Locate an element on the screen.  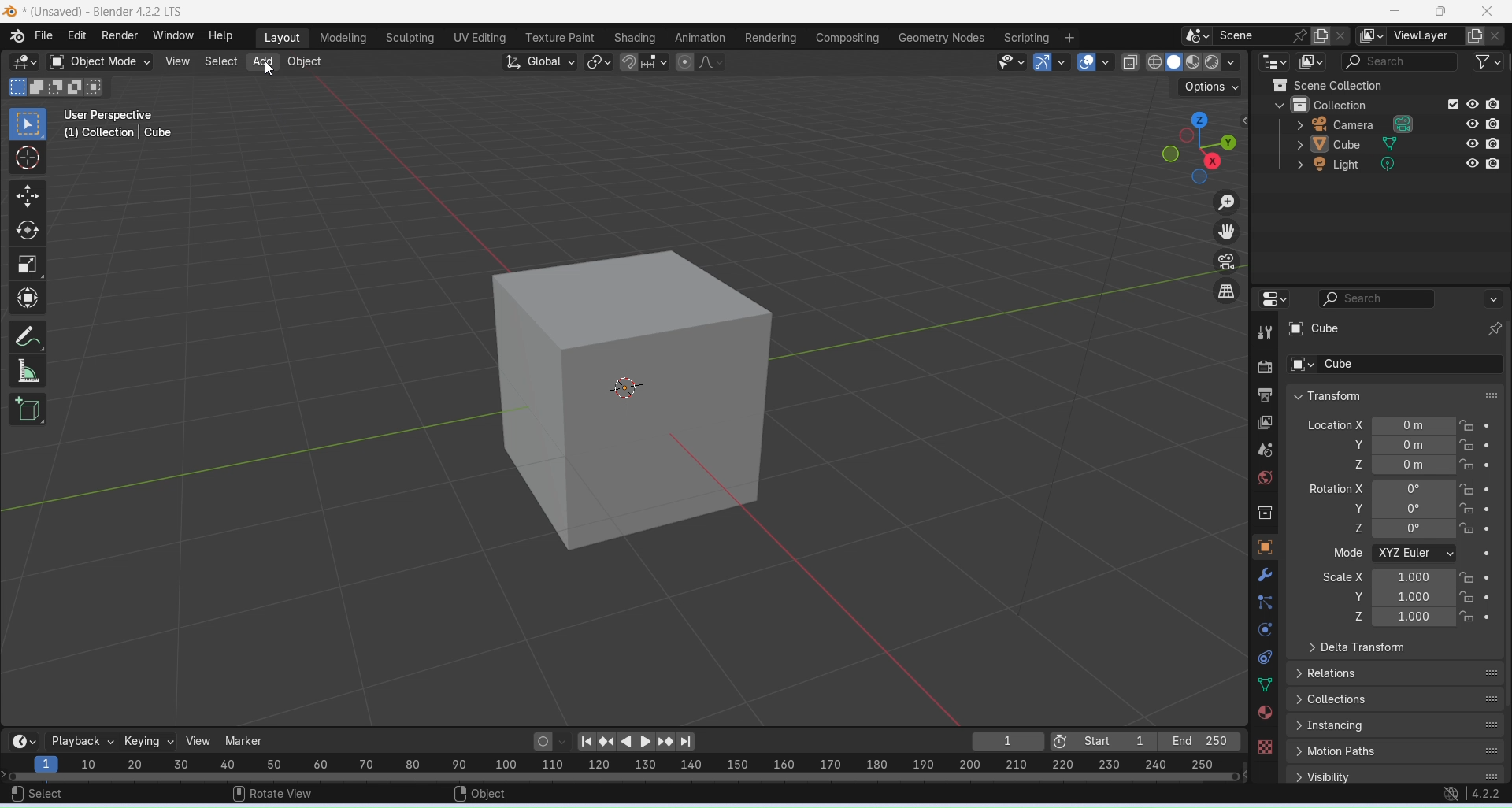
rotate view is located at coordinates (272, 792).